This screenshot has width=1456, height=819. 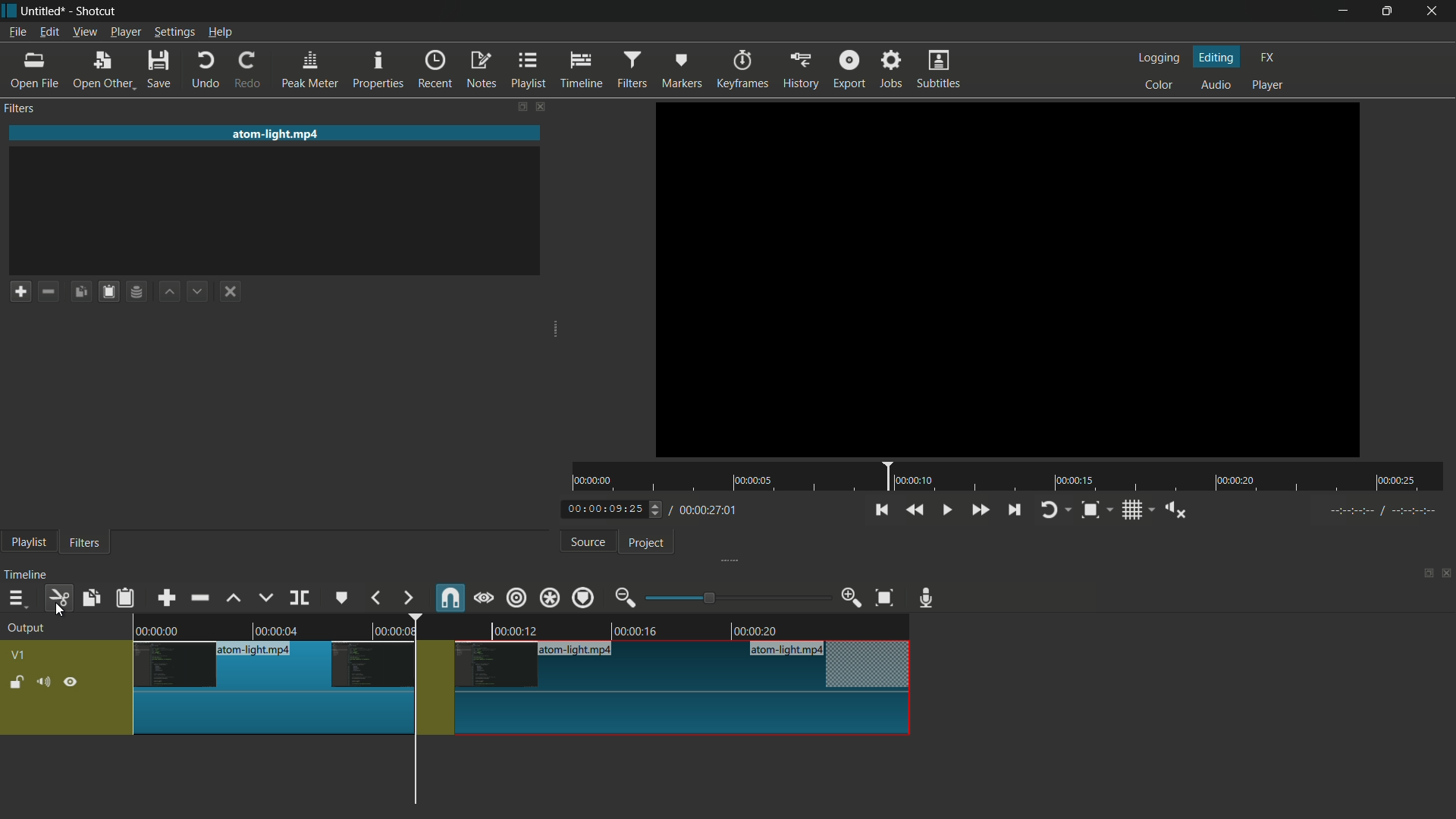 I want to click on zoom timeline to fit, so click(x=1097, y=510).